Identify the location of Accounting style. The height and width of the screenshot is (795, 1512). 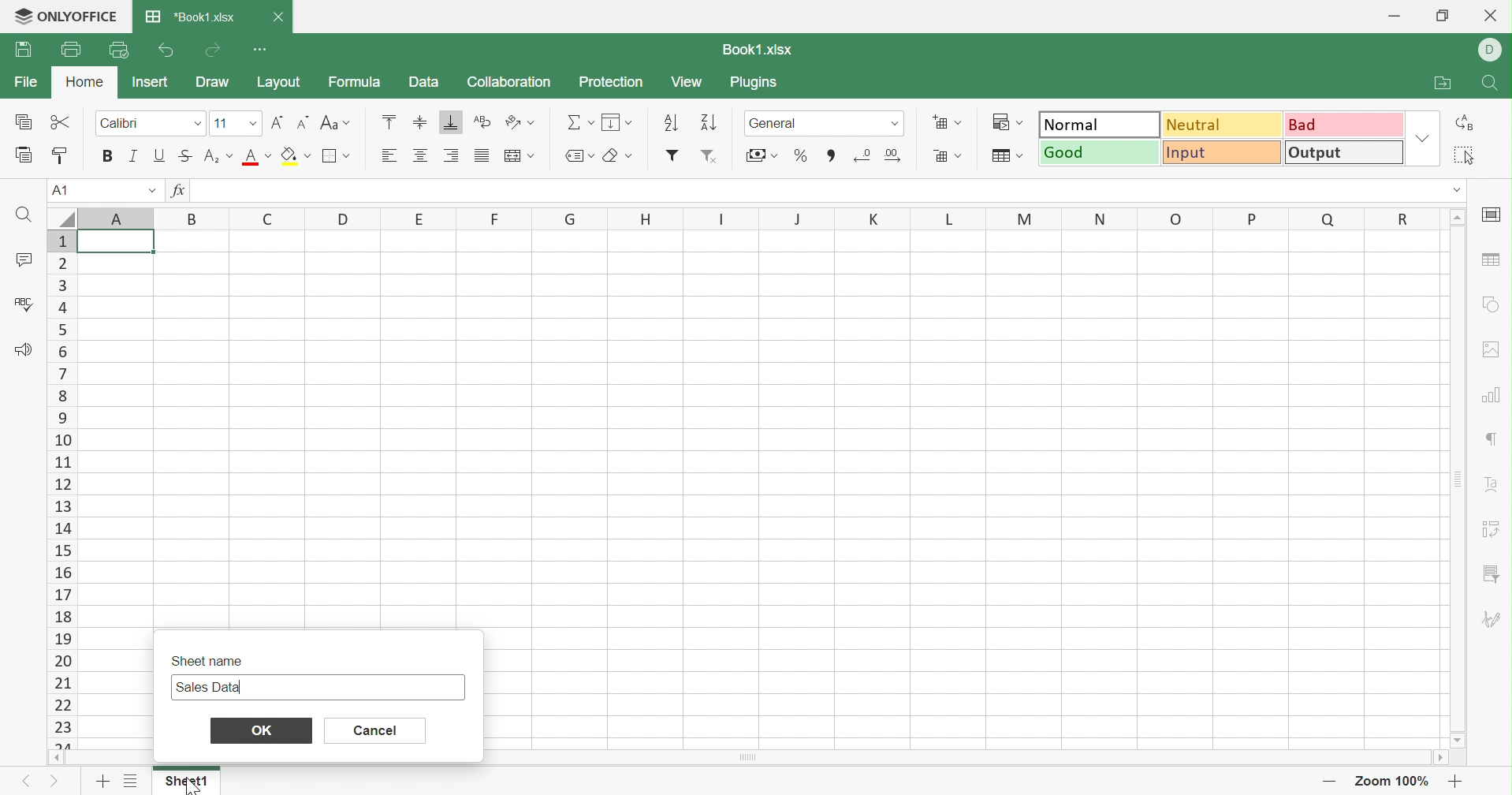
(760, 155).